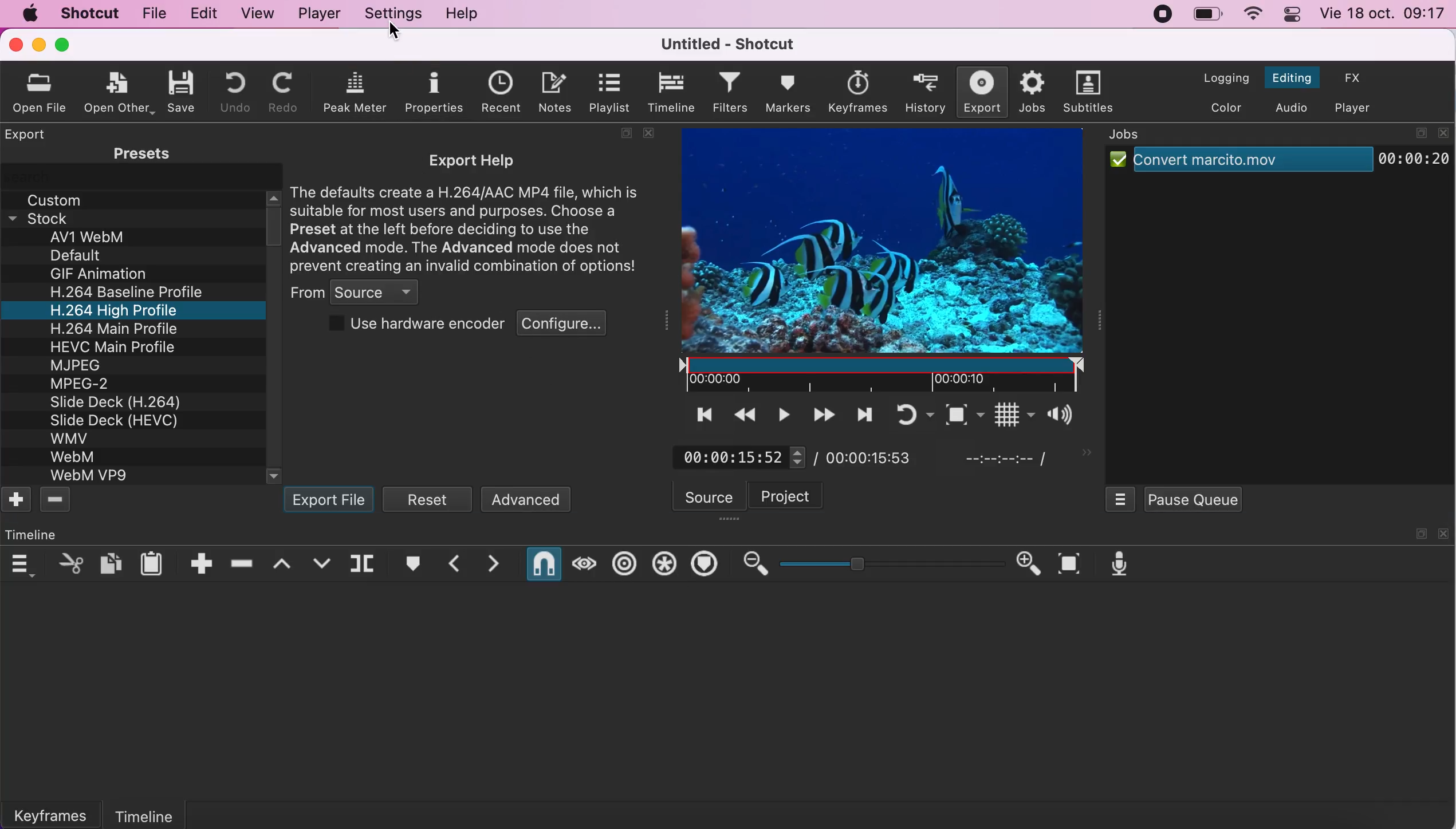 This screenshot has width=1456, height=829. What do you see at coordinates (317, 13) in the screenshot?
I see `player` at bounding box center [317, 13].